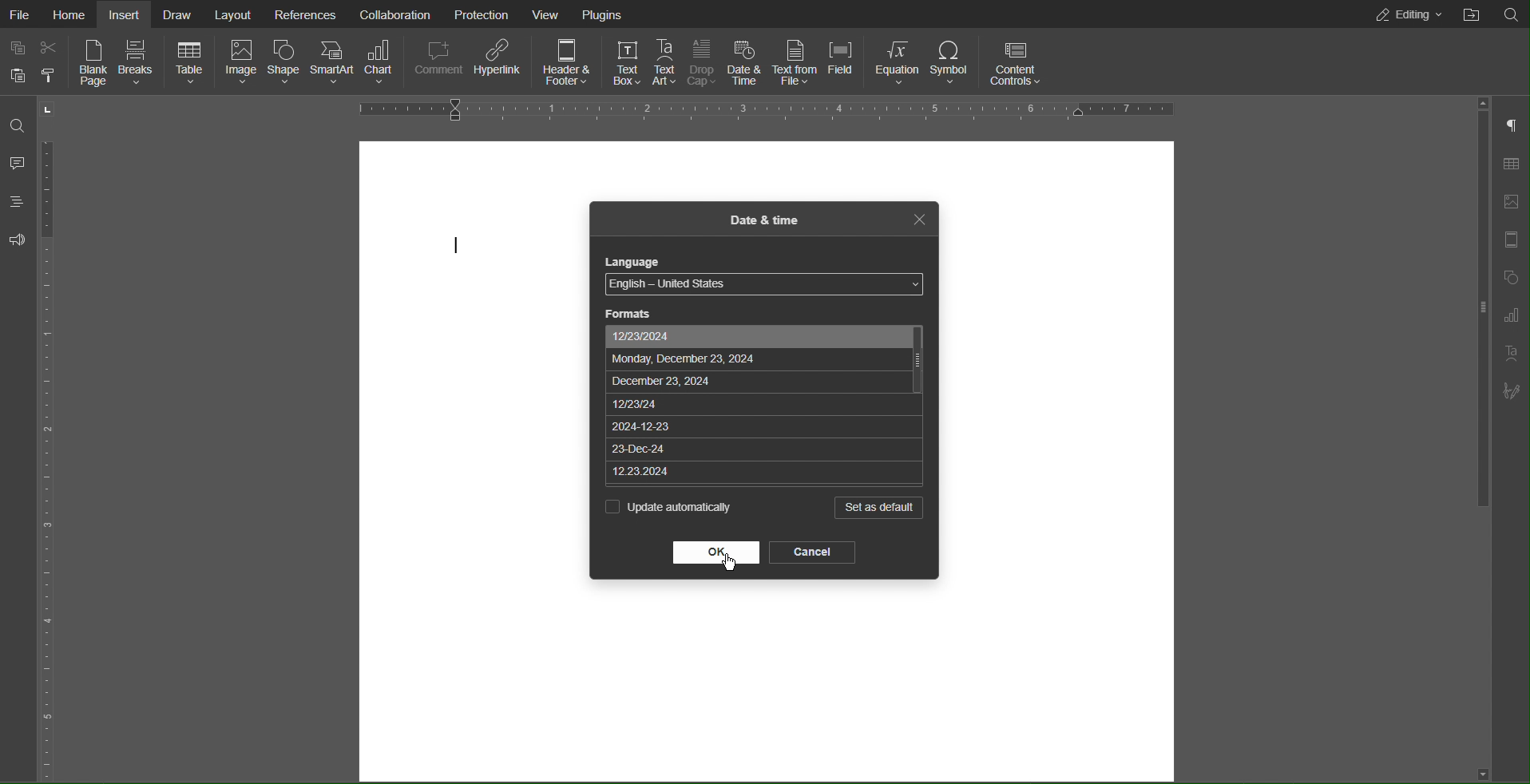 Image resolution: width=1530 pixels, height=784 pixels. What do you see at coordinates (917, 219) in the screenshot?
I see `Close` at bounding box center [917, 219].